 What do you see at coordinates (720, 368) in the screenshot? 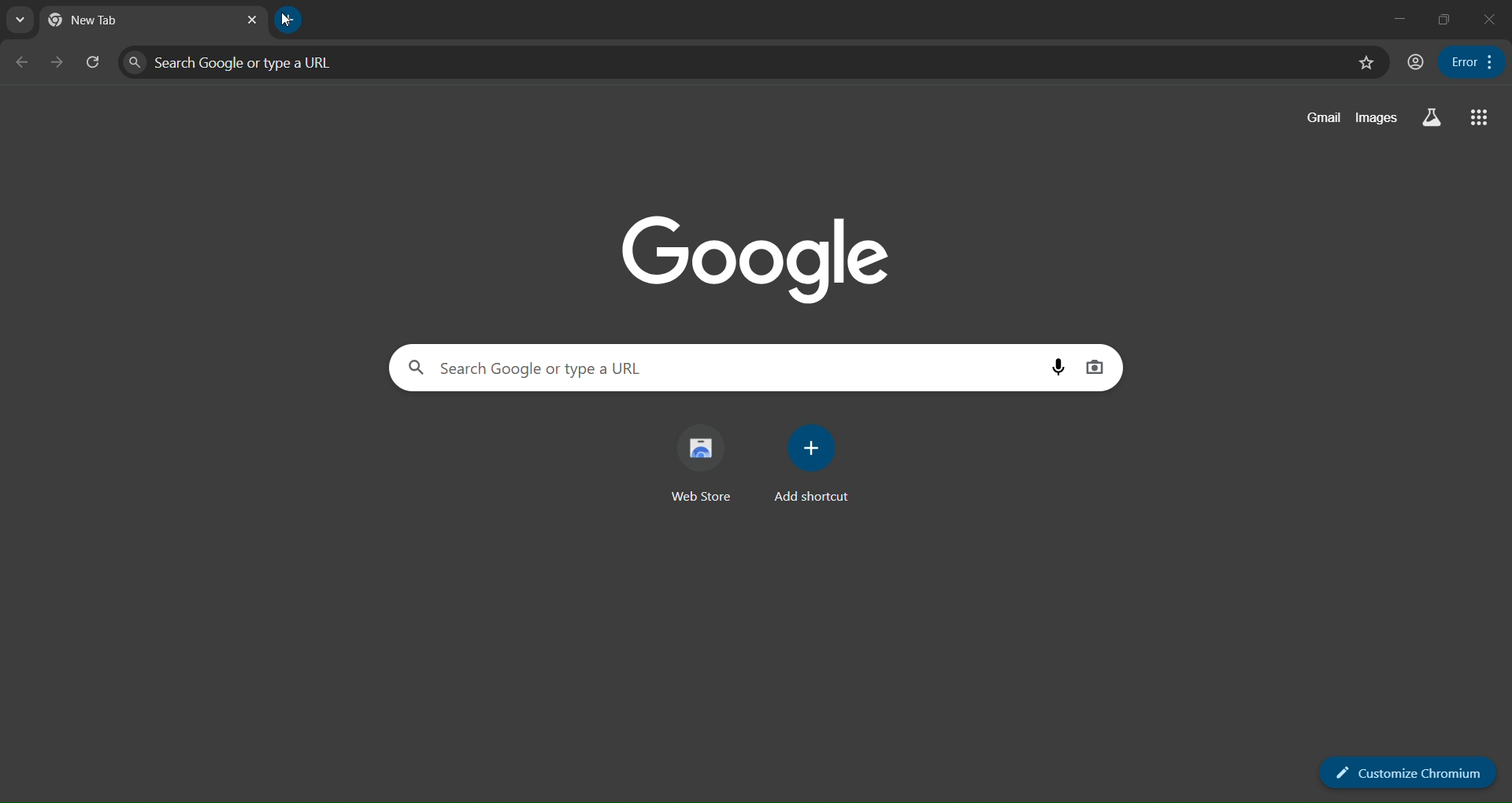
I see `search google or type a url` at bounding box center [720, 368].